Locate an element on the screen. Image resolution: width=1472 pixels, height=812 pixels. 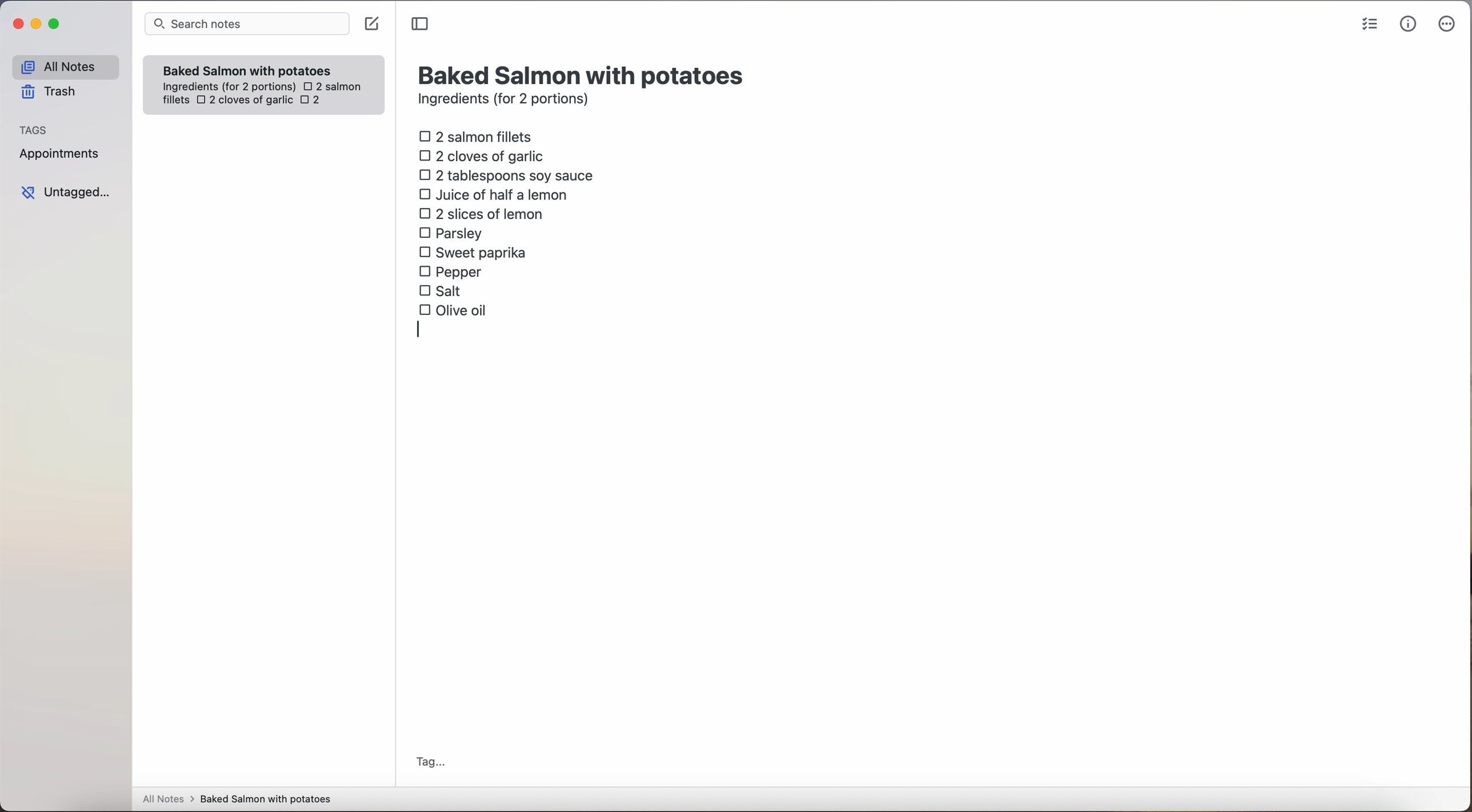
create note is located at coordinates (371, 24).